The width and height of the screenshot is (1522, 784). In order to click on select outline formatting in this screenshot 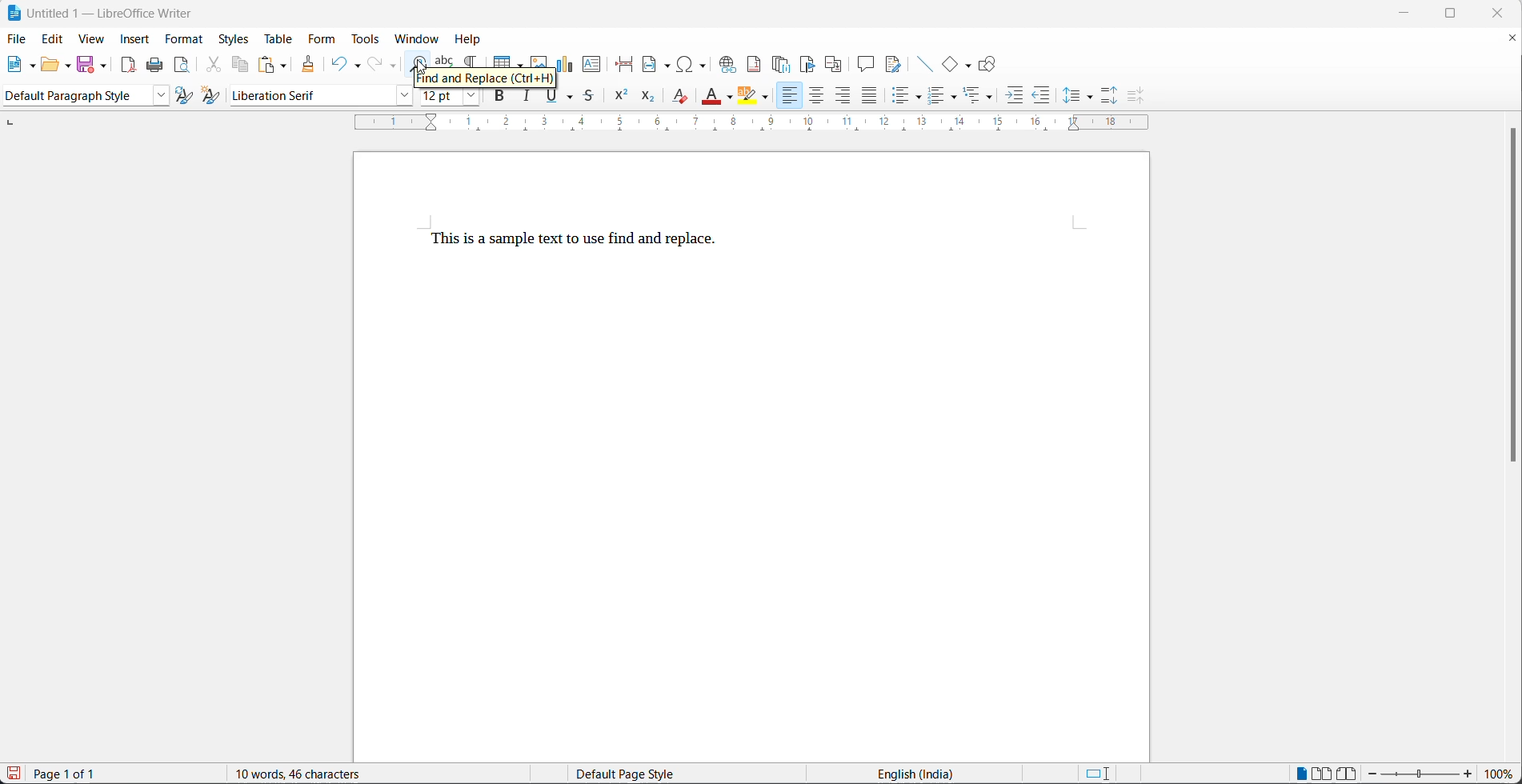, I will do `click(984, 95)`.